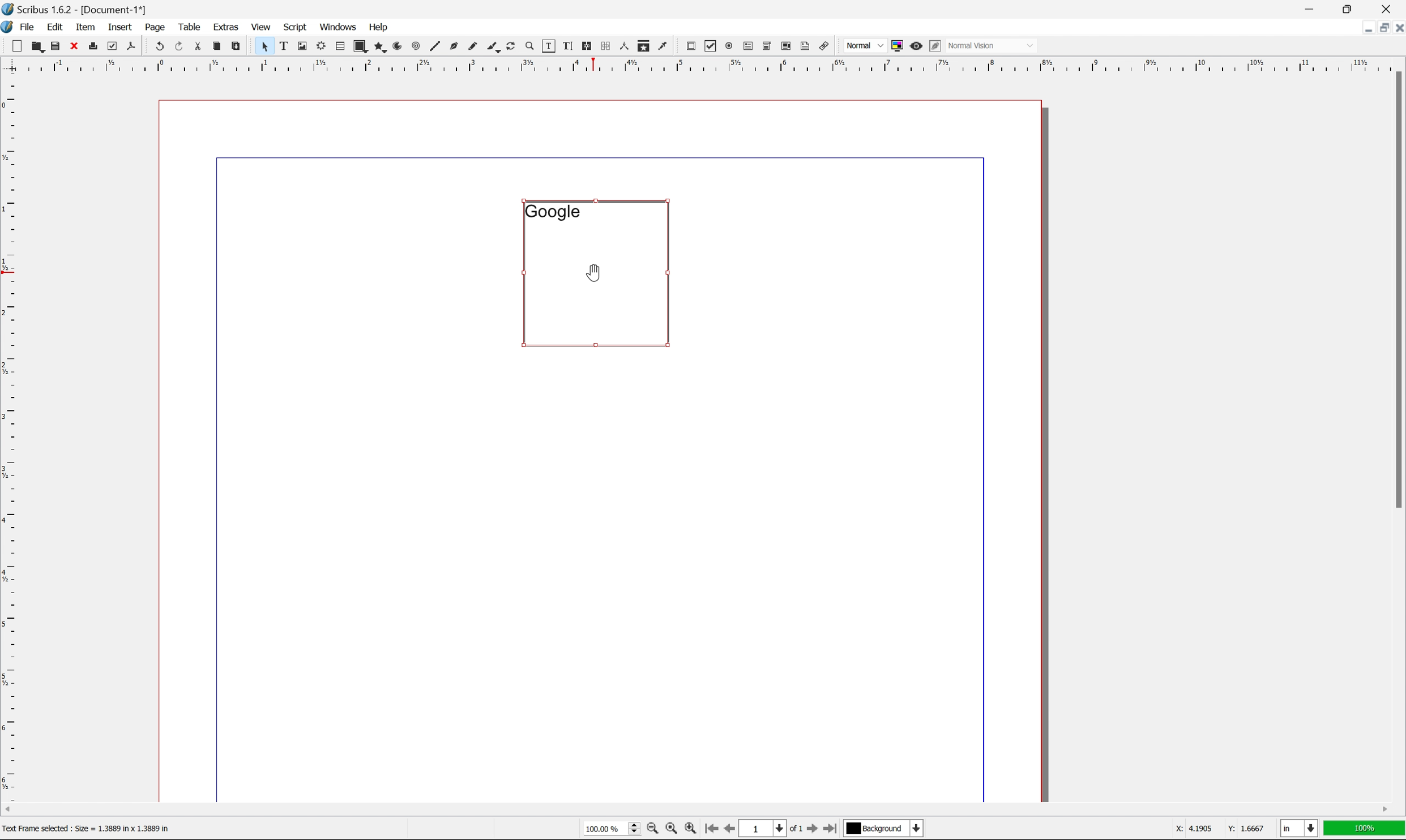  What do you see at coordinates (805, 46) in the screenshot?
I see `text annotation` at bounding box center [805, 46].